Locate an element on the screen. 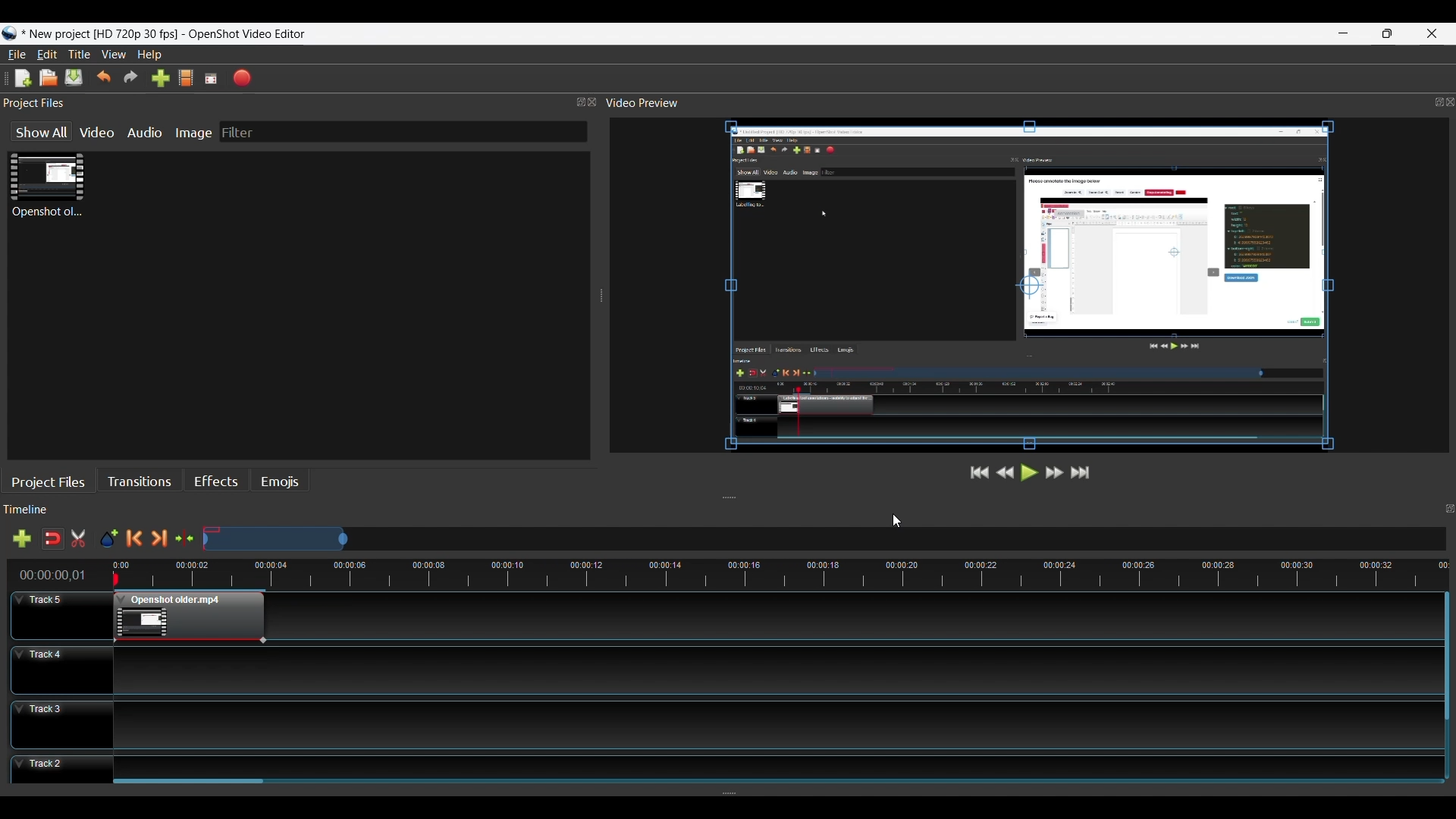 This screenshot has width=1456, height=819. Open File is located at coordinates (49, 78).